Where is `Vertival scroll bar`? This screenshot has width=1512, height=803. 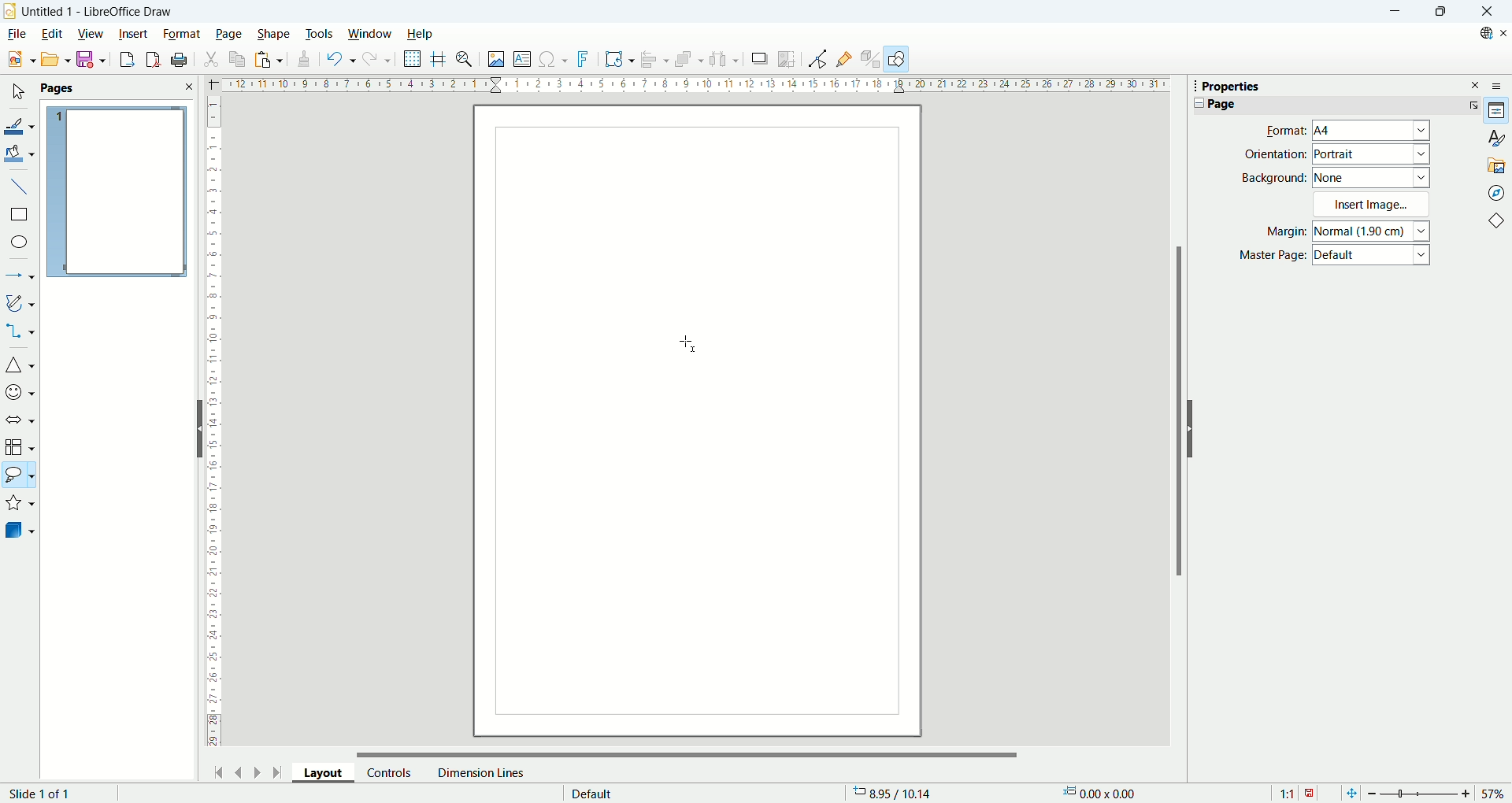 Vertival scroll bar is located at coordinates (1176, 419).